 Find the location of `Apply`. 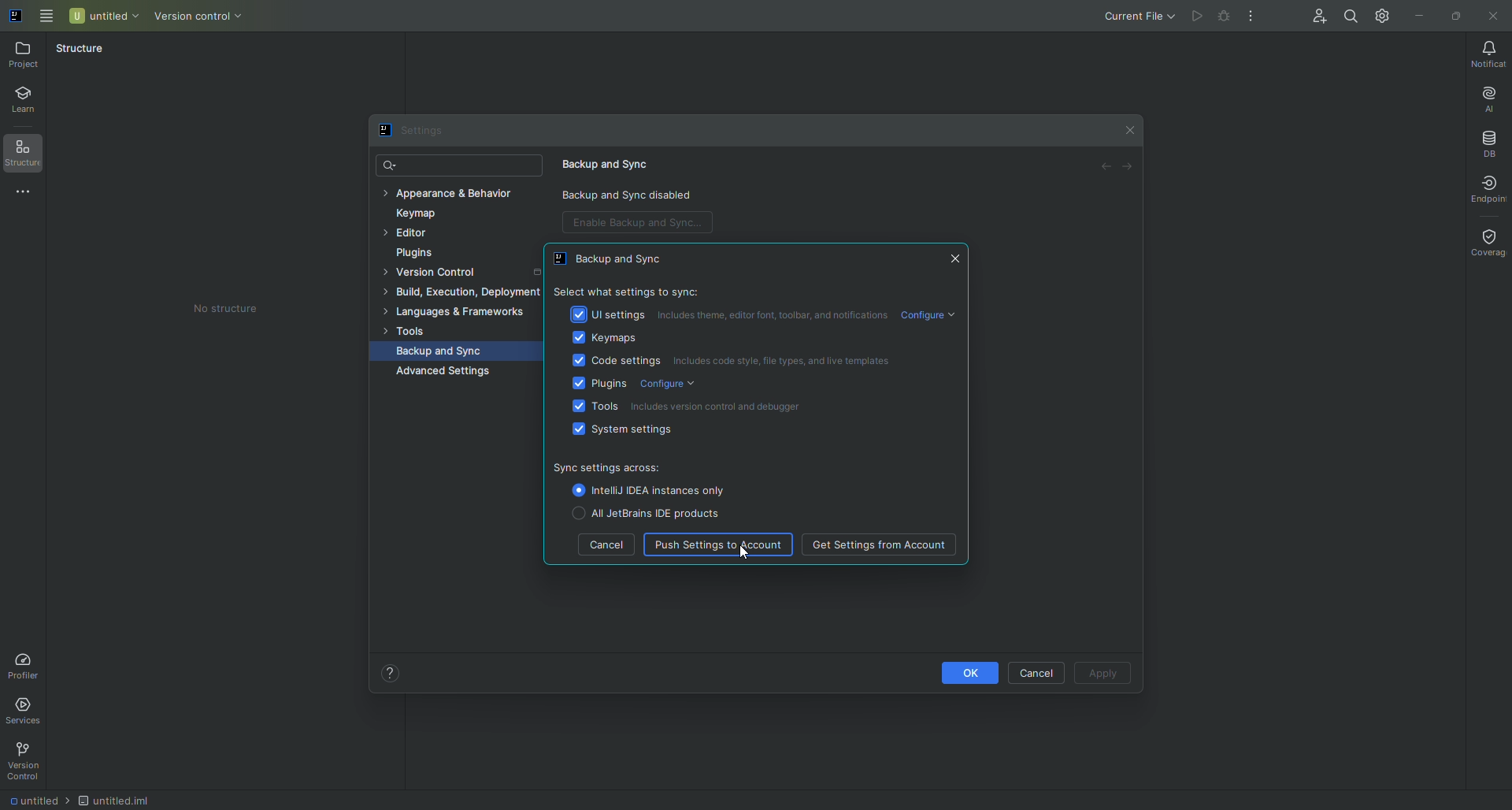

Apply is located at coordinates (1105, 672).